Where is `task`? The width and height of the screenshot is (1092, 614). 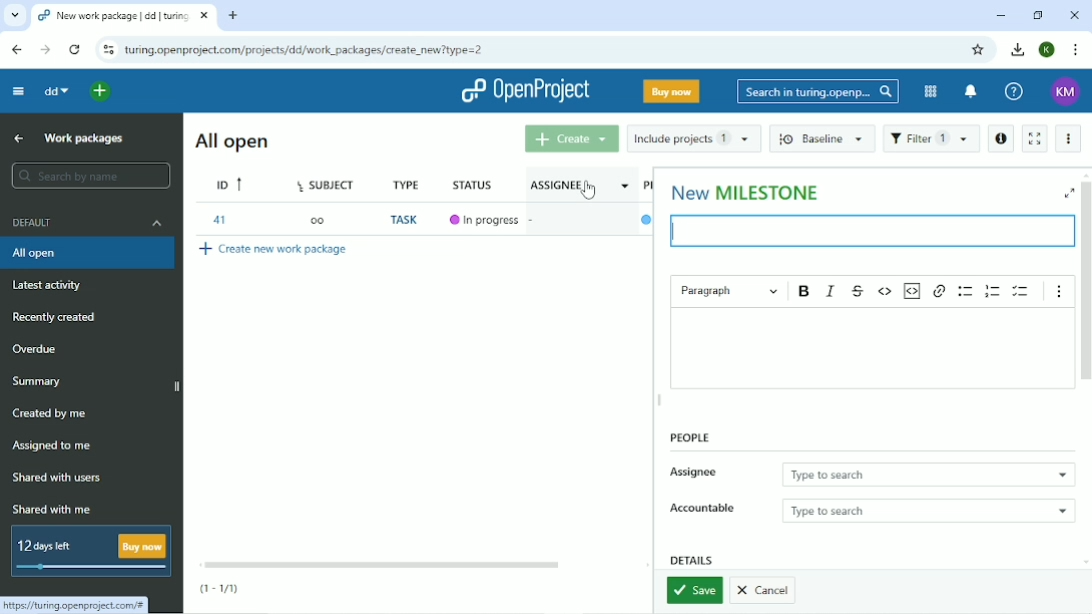 task is located at coordinates (407, 221).